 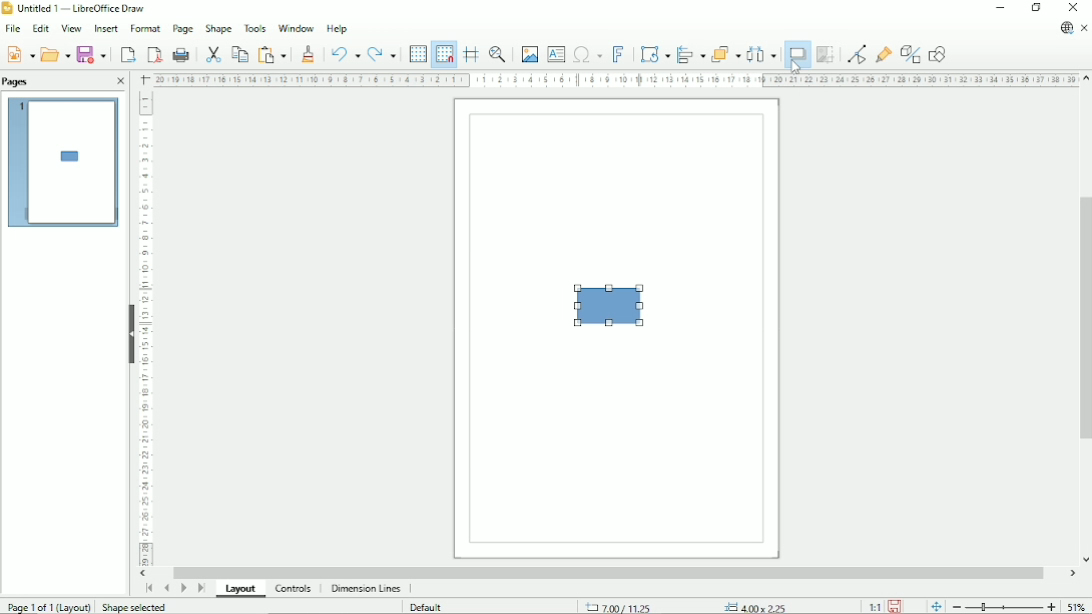 What do you see at coordinates (1074, 8) in the screenshot?
I see `Close` at bounding box center [1074, 8].